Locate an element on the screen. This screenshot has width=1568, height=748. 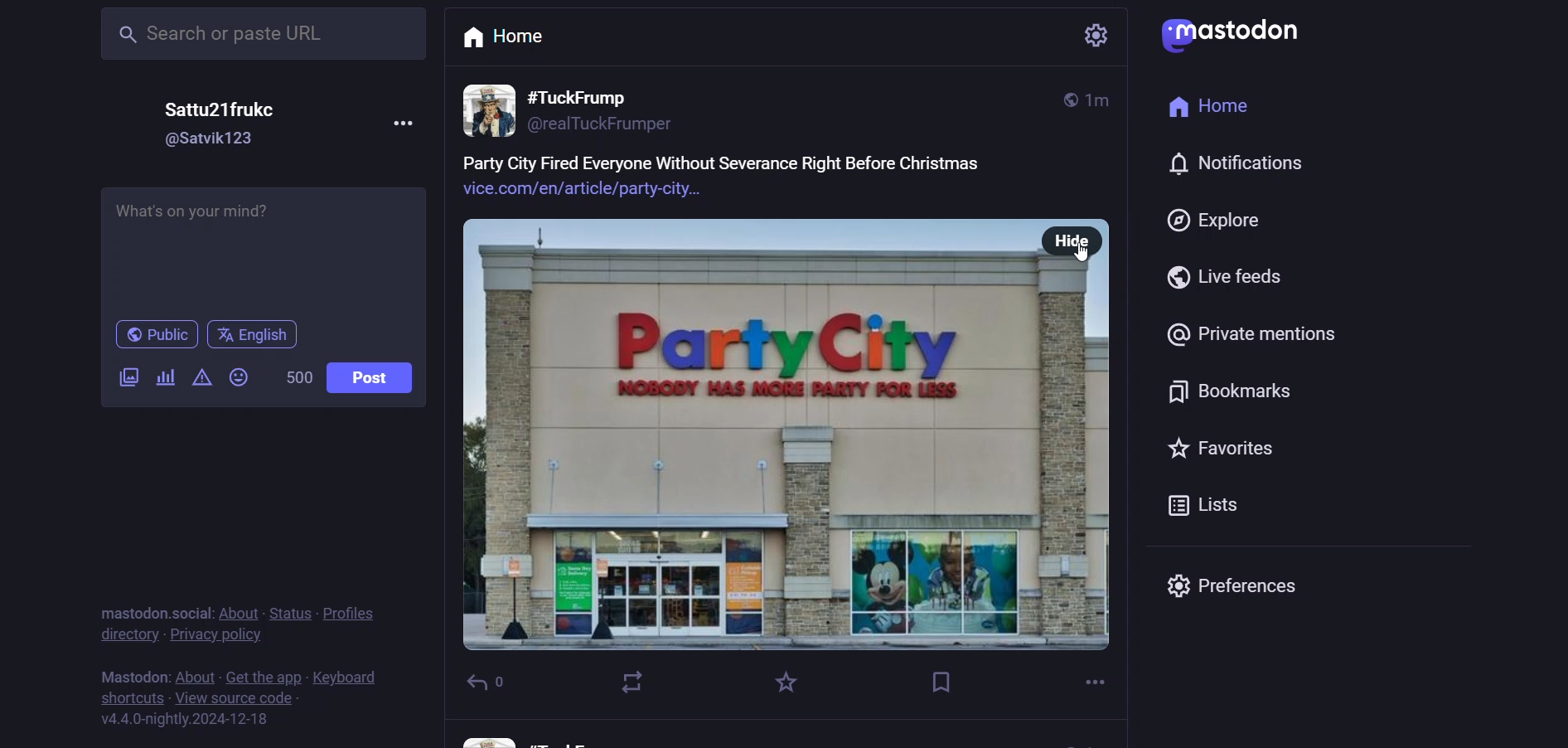
Private mentions is located at coordinates (1252, 334).